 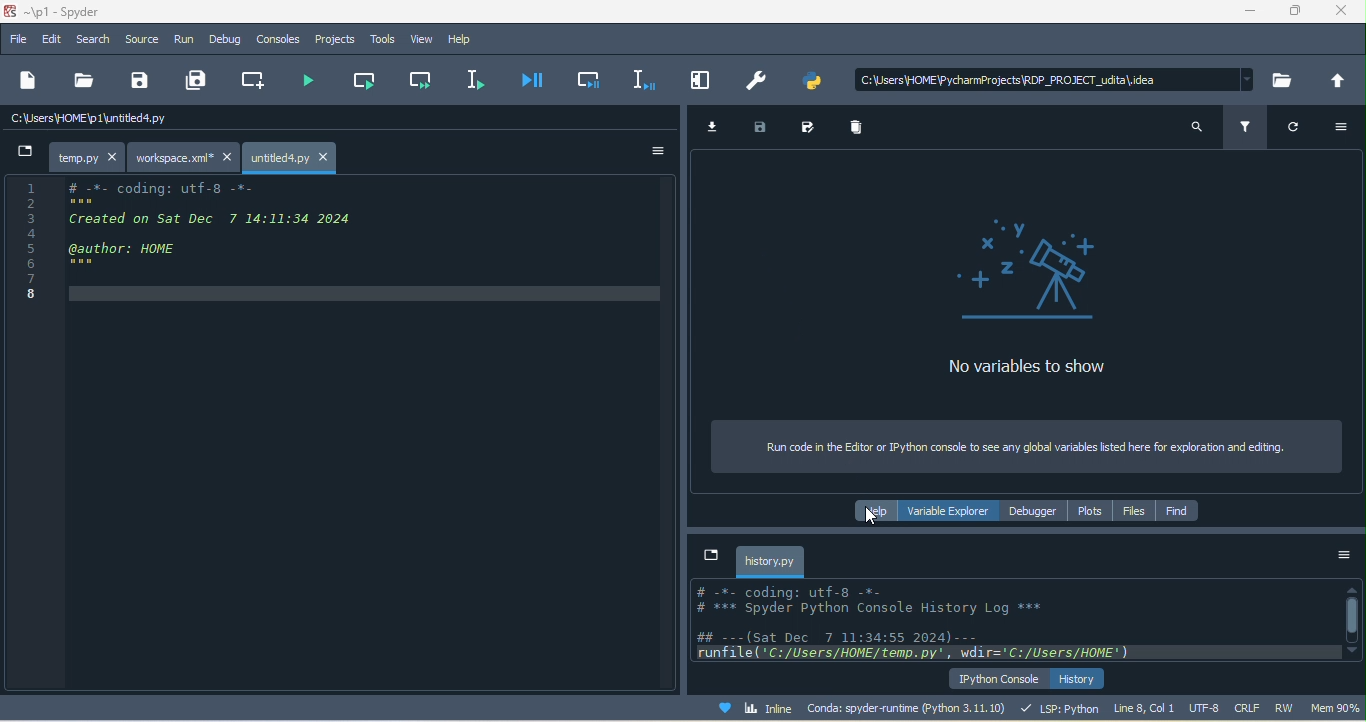 What do you see at coordinates (423, 82) in the screenshot?
I see `run current cell and go to the next one` at bounding box center [423, 82].